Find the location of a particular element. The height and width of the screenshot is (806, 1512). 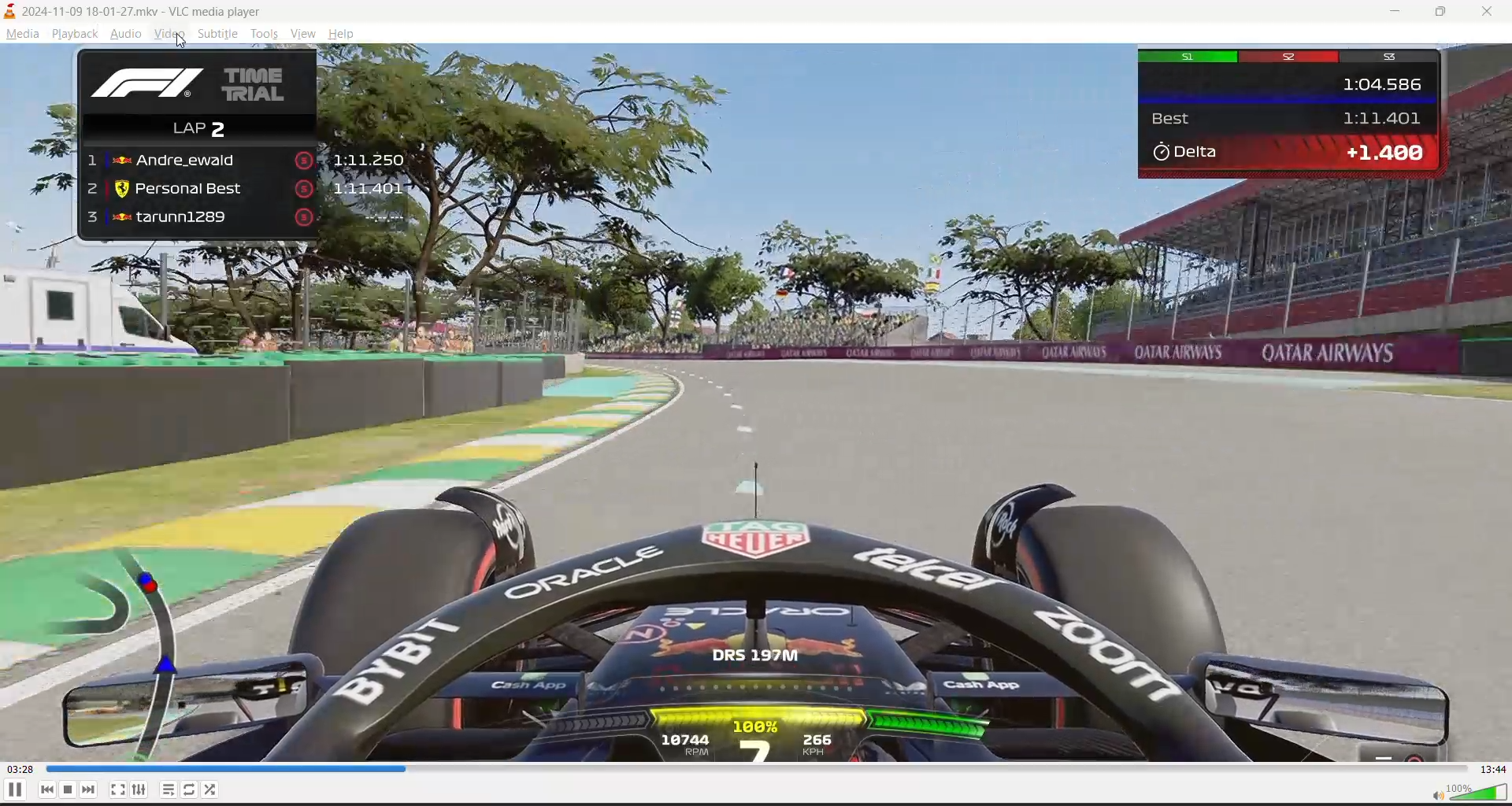

shuffle is located at coordinates (211, 790).